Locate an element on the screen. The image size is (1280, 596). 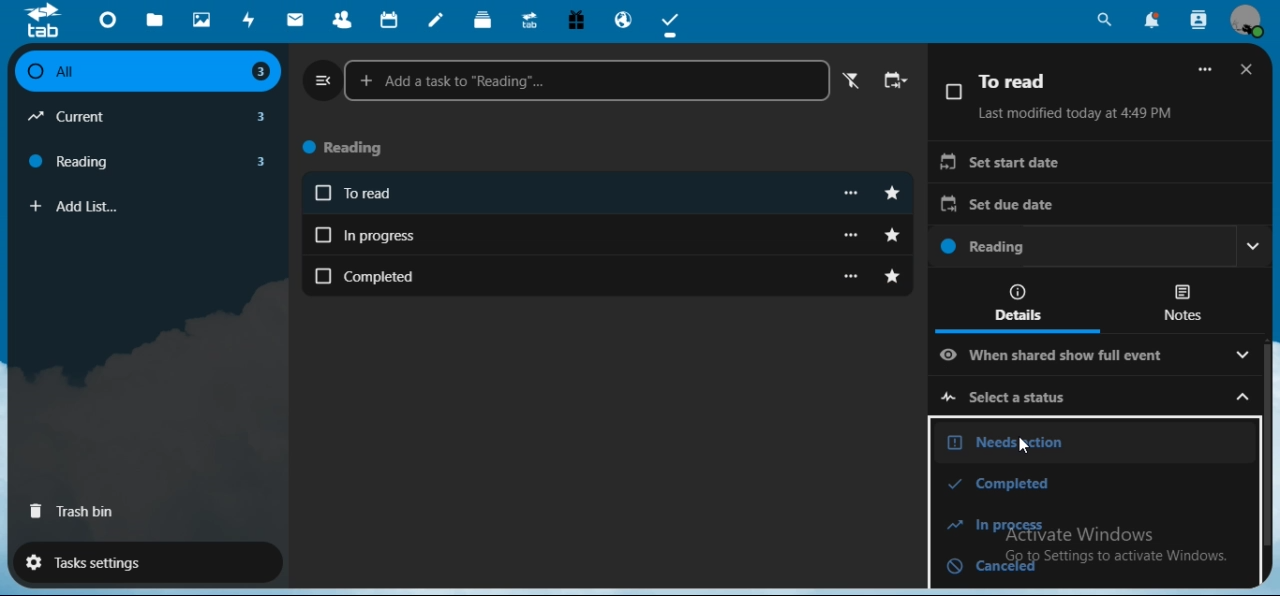
needs action is located at coordinates (1096, 442).